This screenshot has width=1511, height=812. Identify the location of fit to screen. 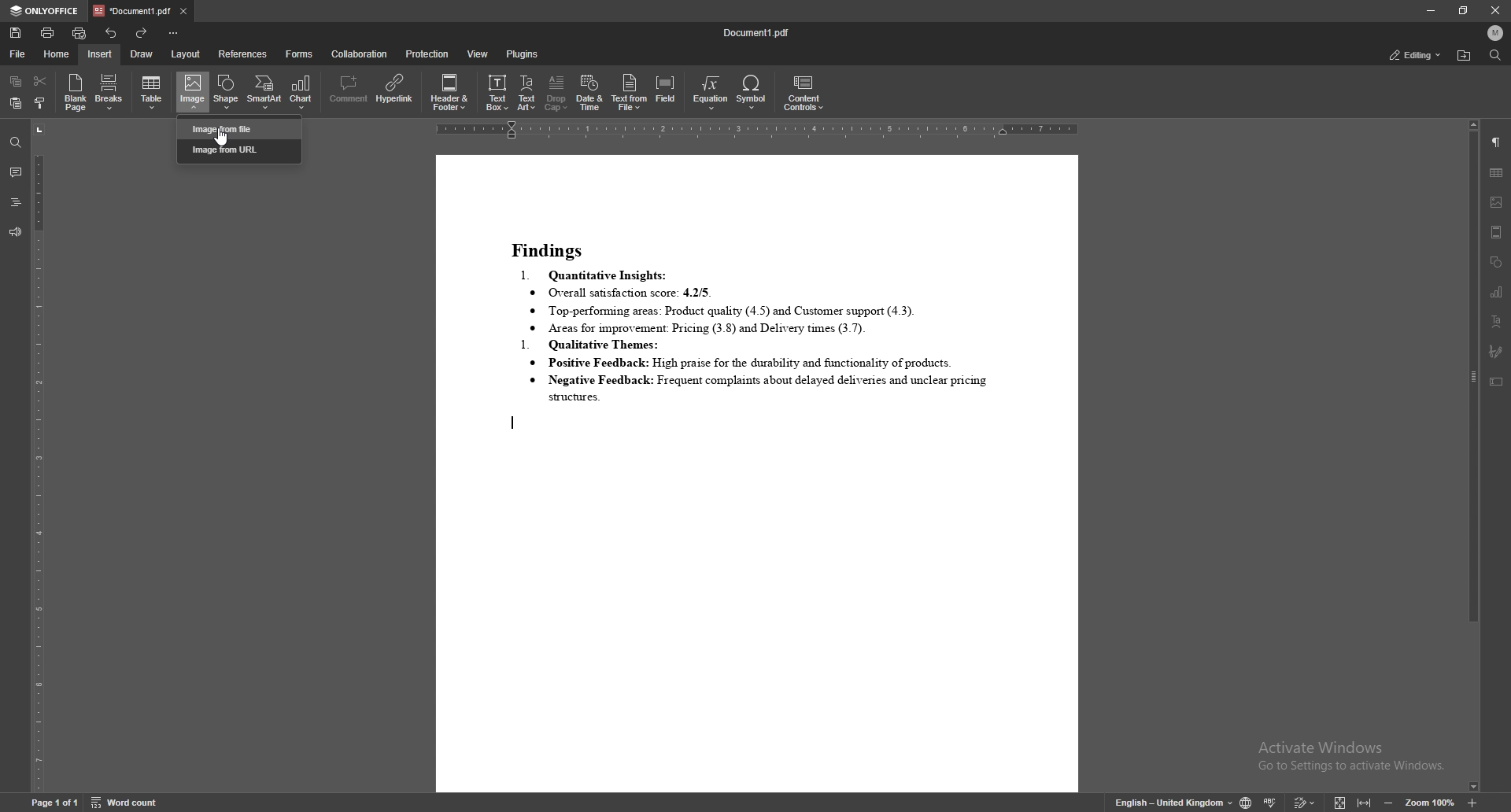
(1340, 802).